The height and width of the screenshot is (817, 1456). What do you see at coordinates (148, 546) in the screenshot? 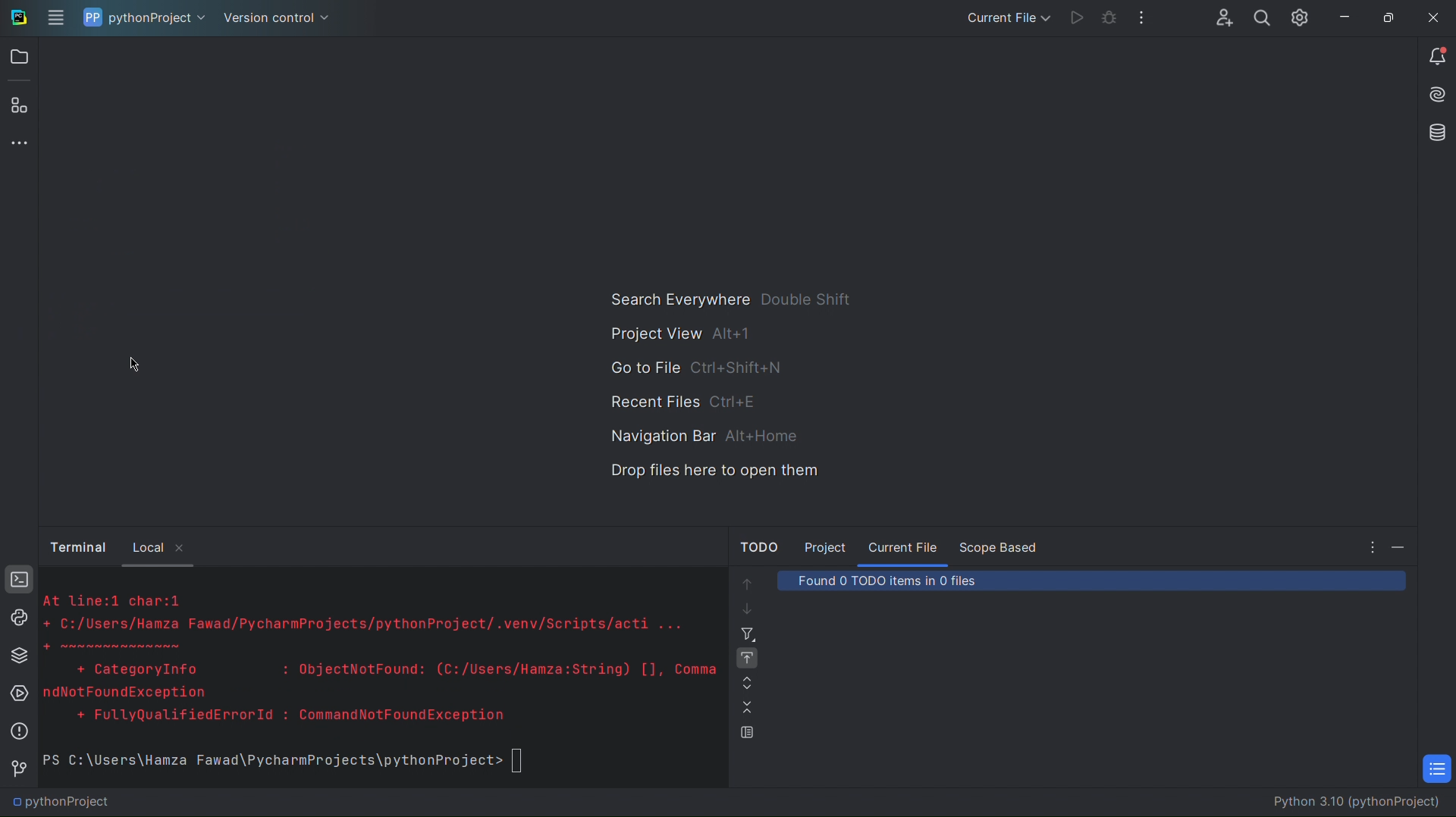
I see `Local` at bounding box center [148, 546].